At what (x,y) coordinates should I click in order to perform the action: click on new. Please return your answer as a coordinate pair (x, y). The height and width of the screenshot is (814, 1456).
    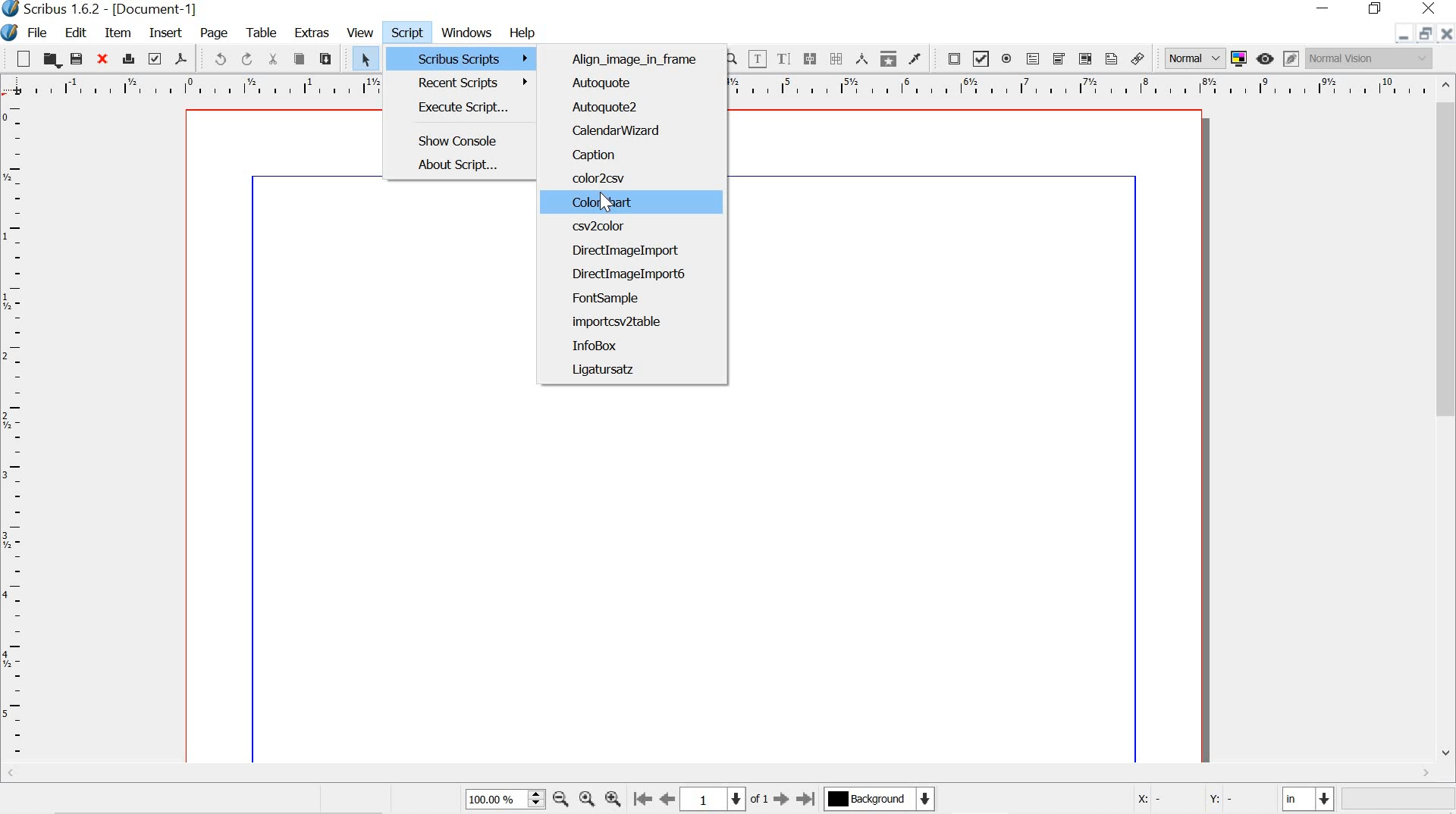
    Looking at the image, I should click on (18, 58).